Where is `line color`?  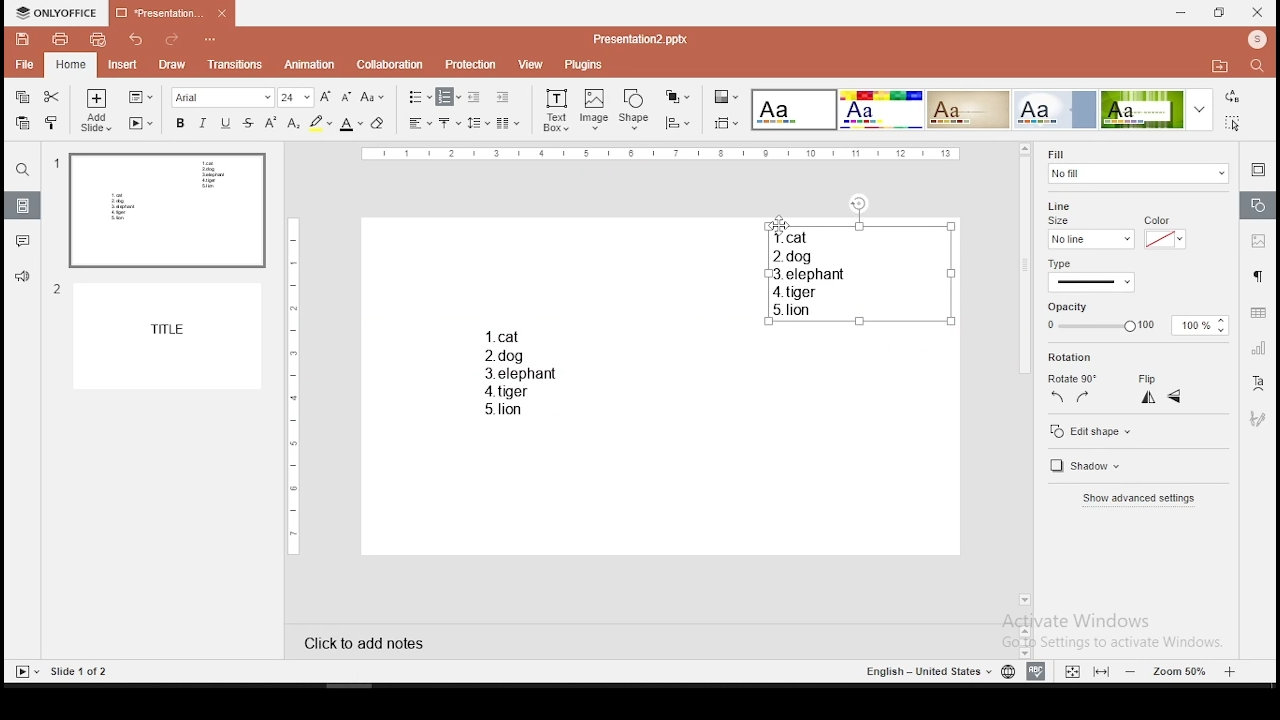
line color is located at coordinates (1164, 233).